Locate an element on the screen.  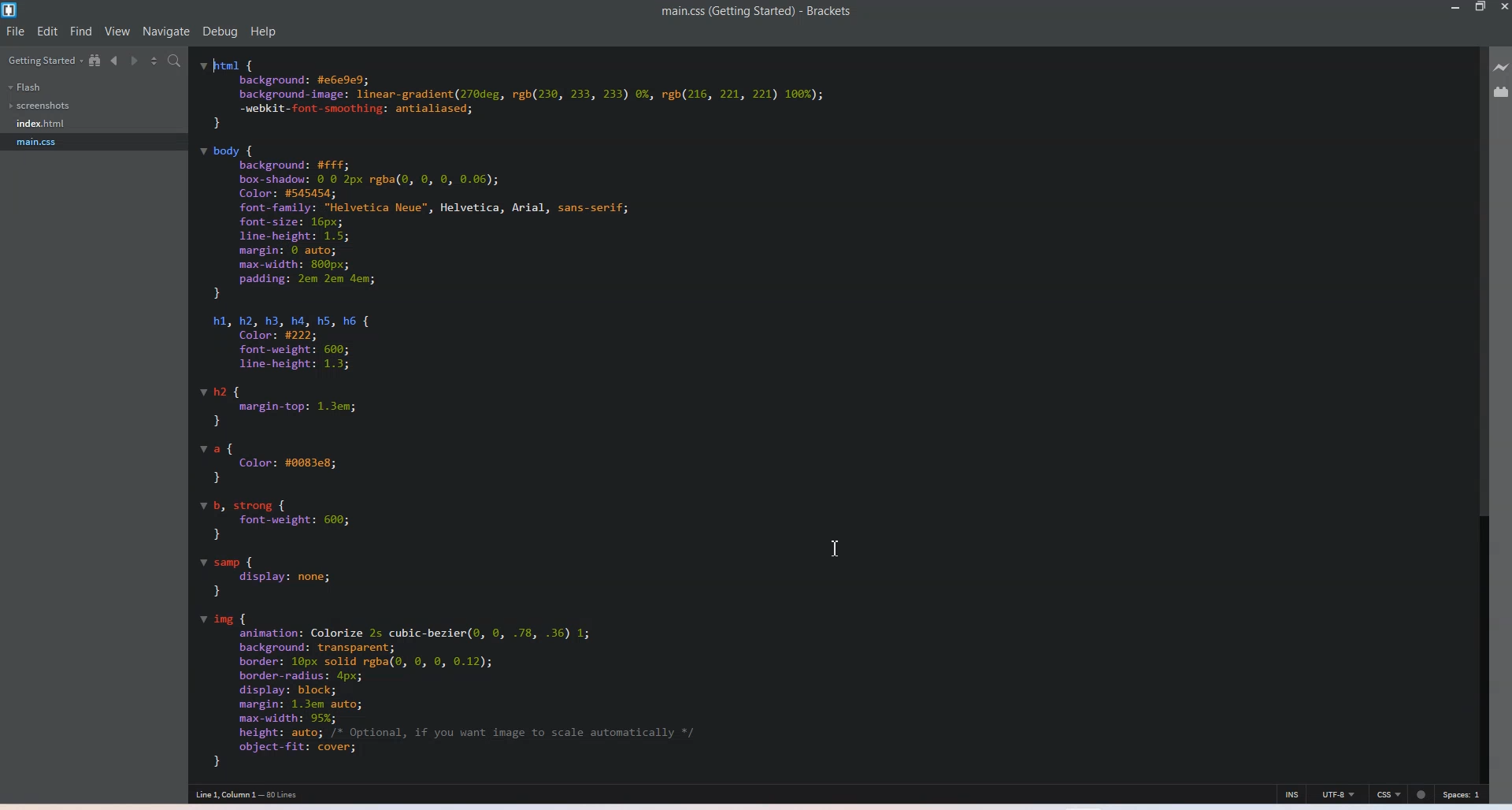
Find is located at coordinates (81, 31).